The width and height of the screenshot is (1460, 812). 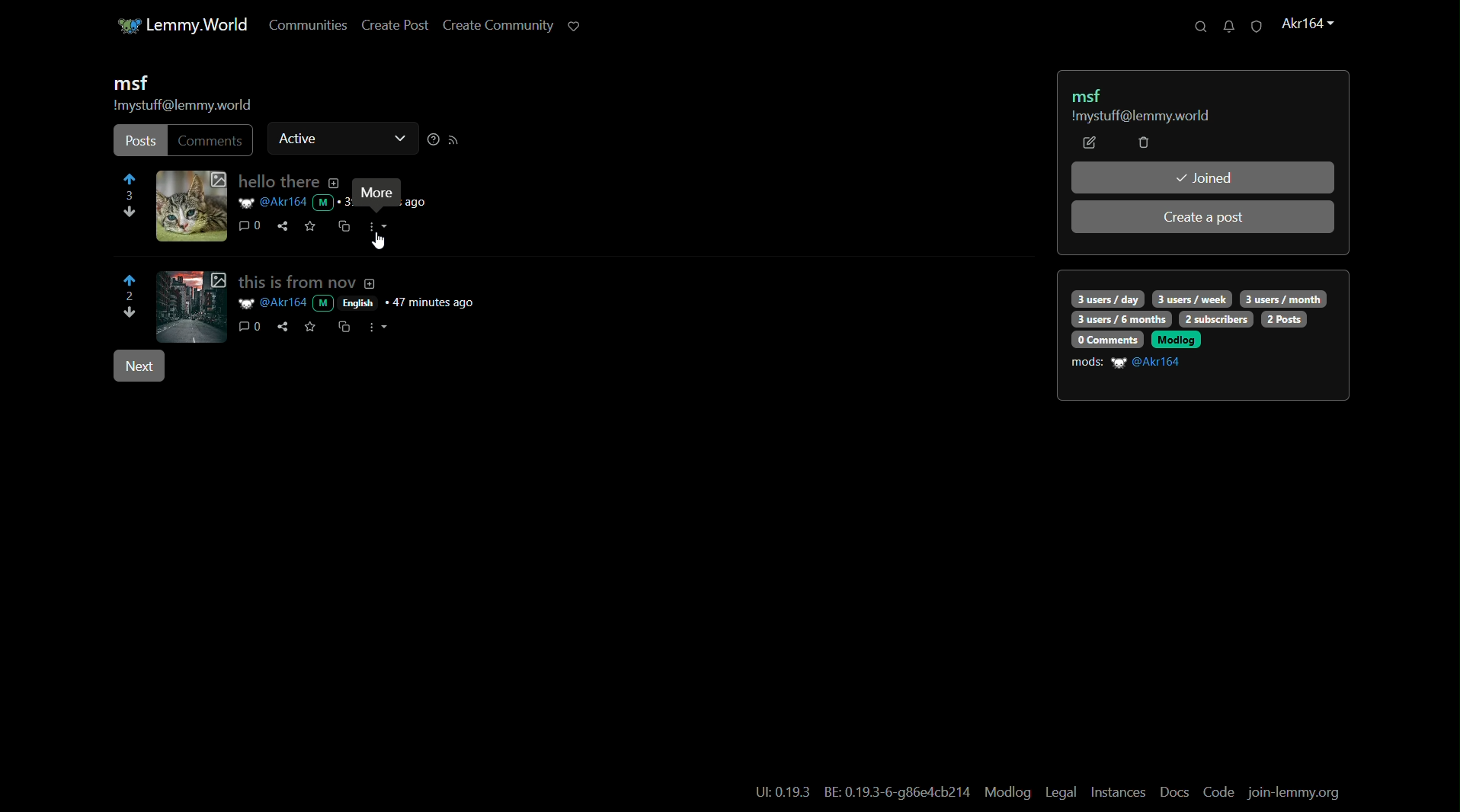 What do you see at coordinates (454, 140) in the screenshot?
I see `rss` at bounding box center [454, 140].